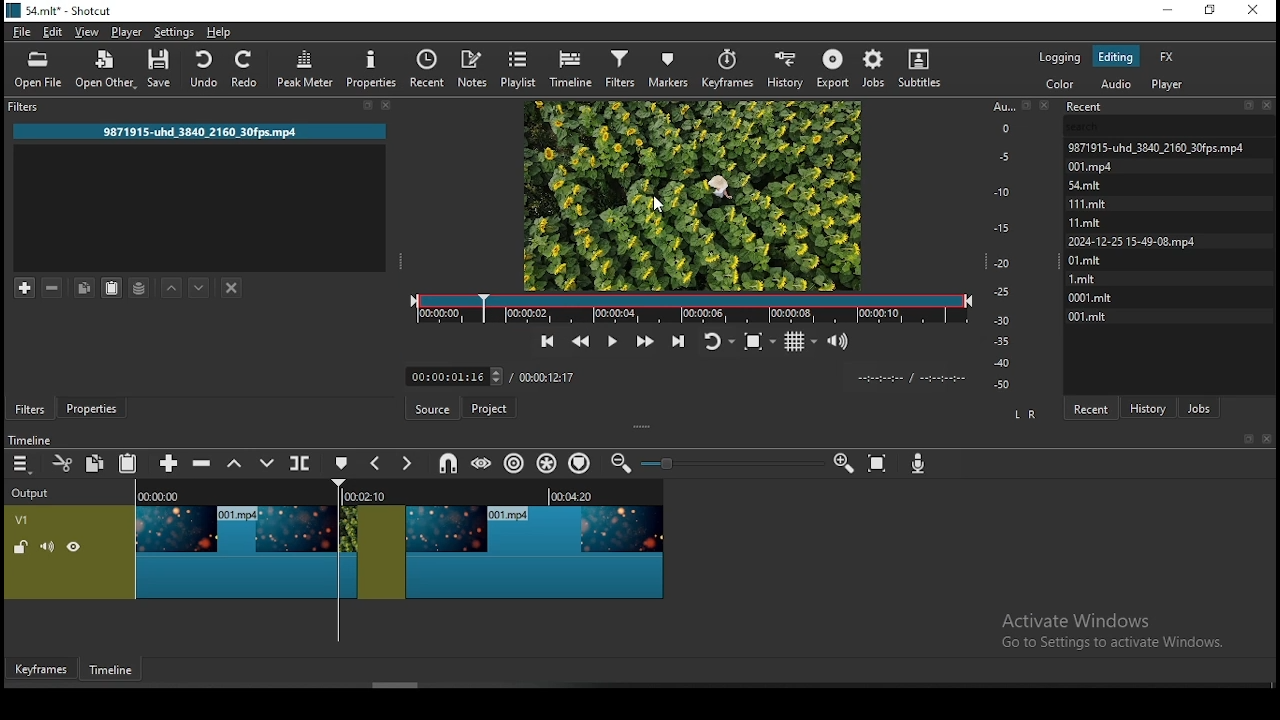 Image resolution: width=1280 pixels, height=720 pixels. Describe the element at coordinates (579, 342) in the screenshot. I see `play quickly backwards` at that location.